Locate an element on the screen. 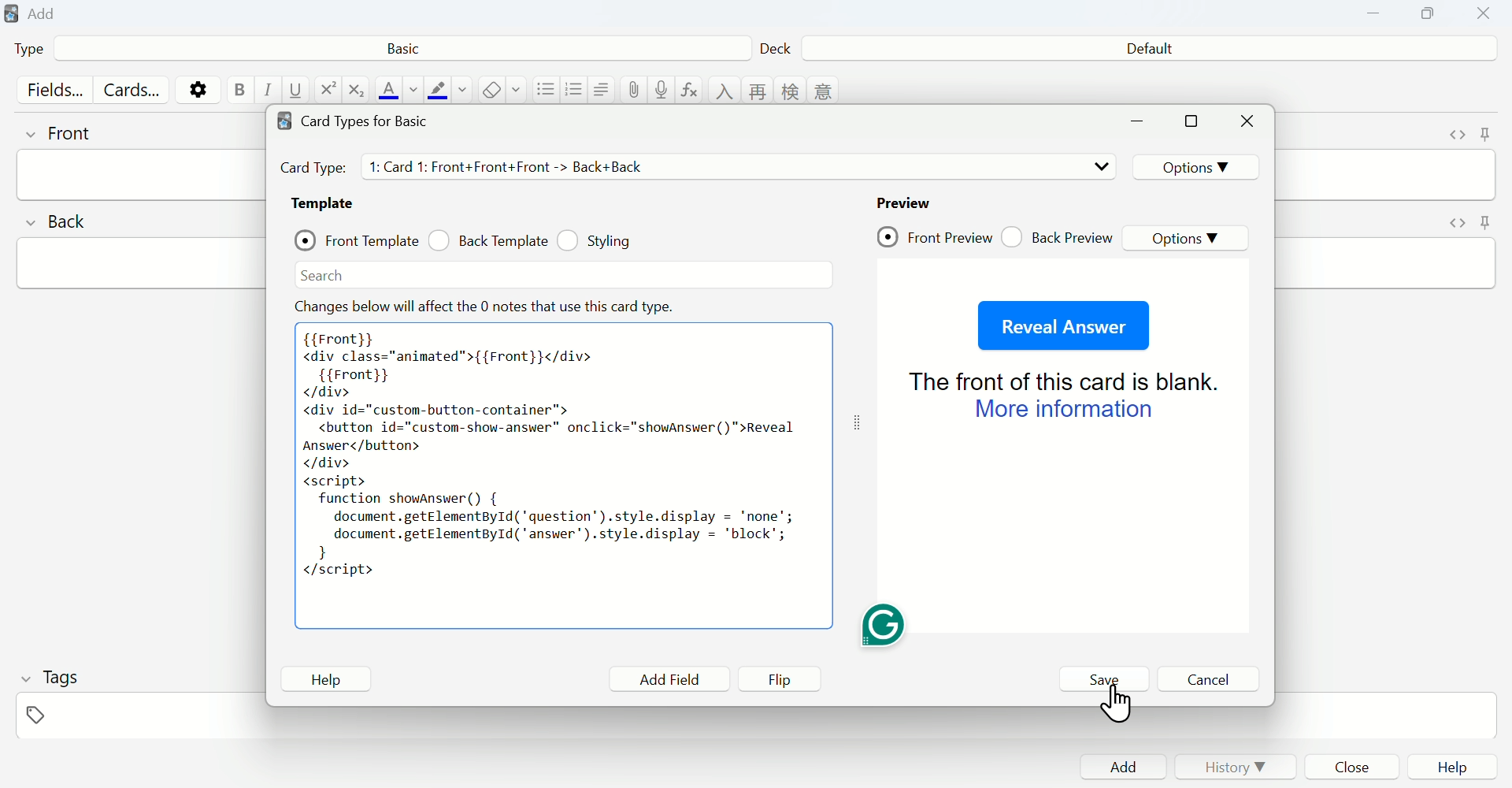 The width and height of the screenshot is (1512, 788). History is located at coordinates (1234, 767).